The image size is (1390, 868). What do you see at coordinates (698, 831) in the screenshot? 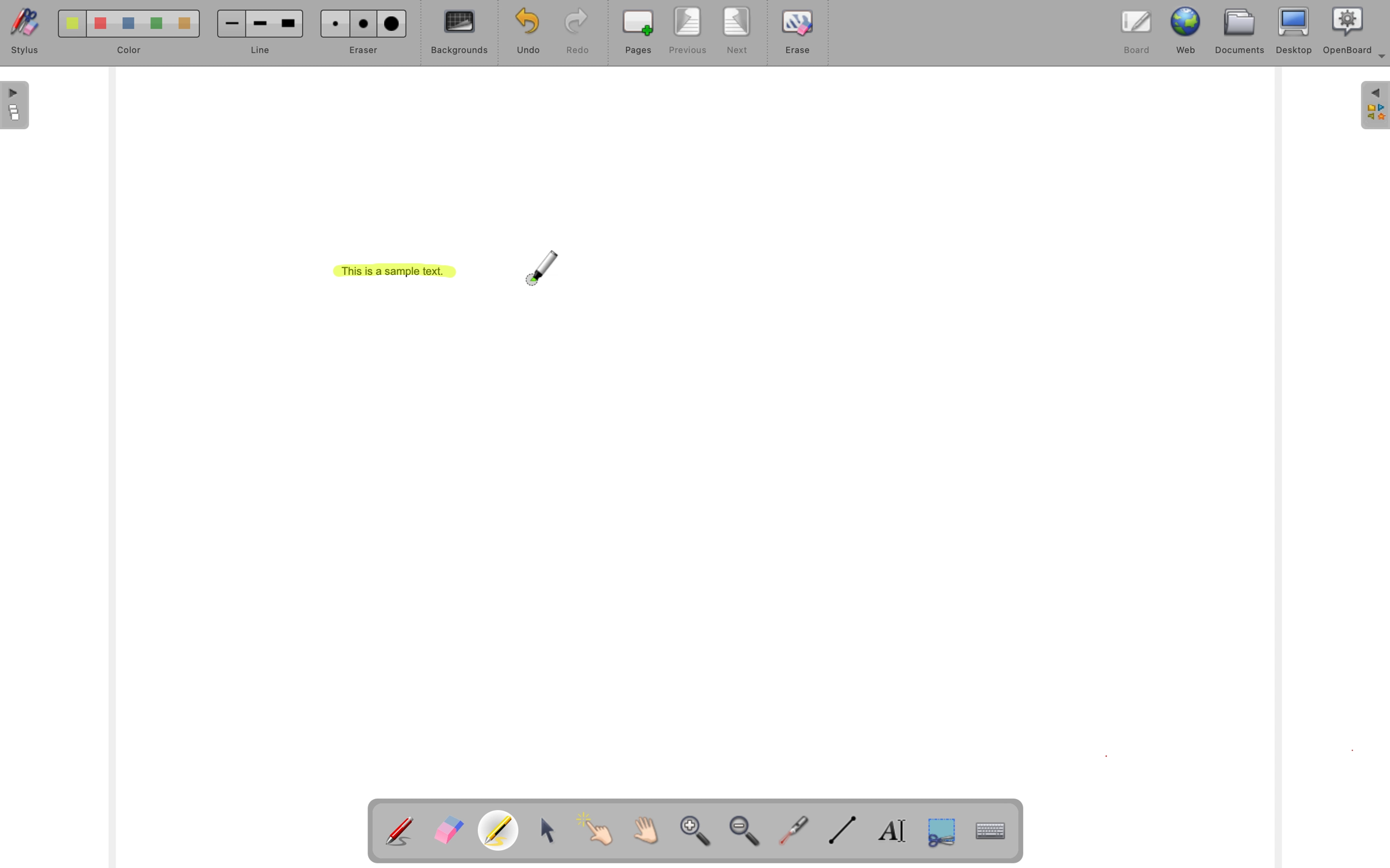
I see `zoom in` at bounding box center [698, 831].